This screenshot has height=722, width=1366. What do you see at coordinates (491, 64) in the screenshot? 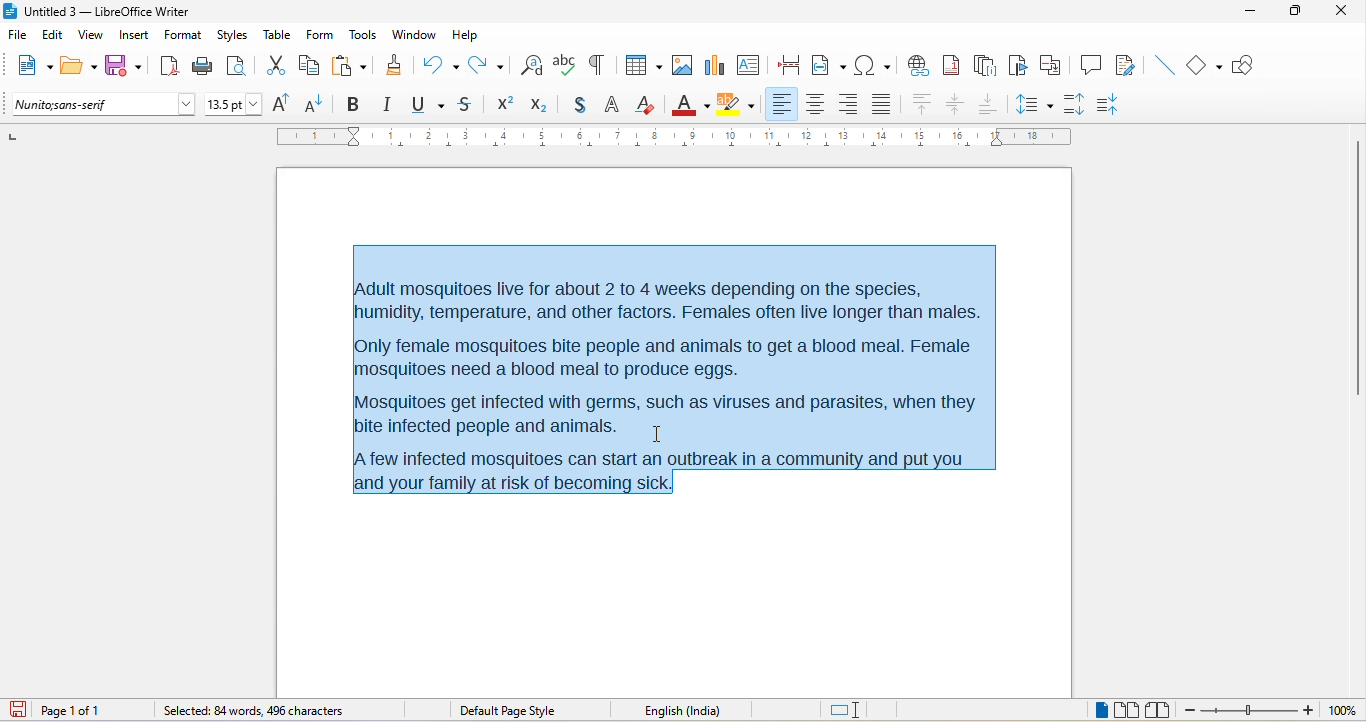
I see `redo` at bounding box center [491, 64].